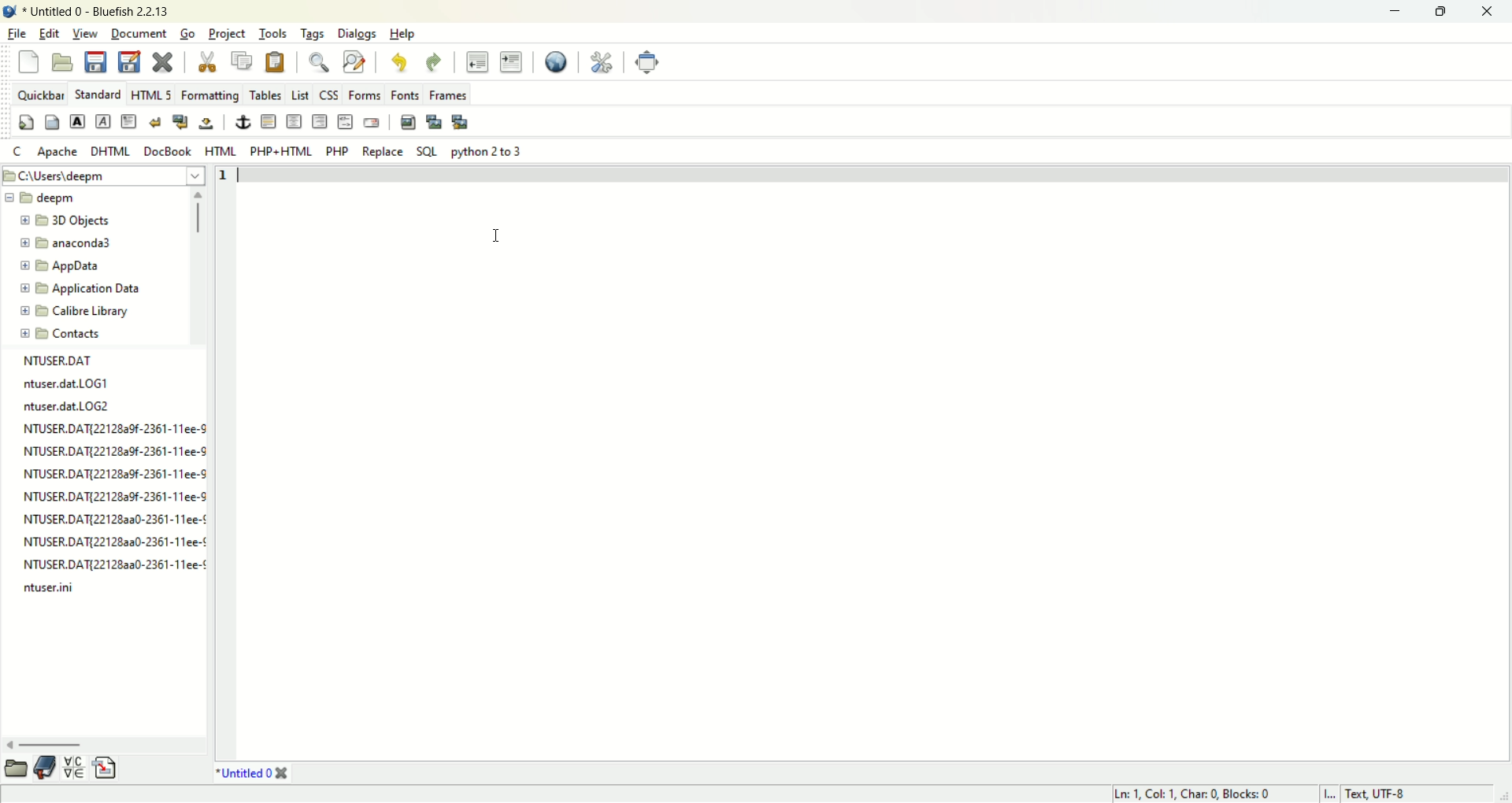 The height and width of the screenshot is (803, 1512). What do you see at coordinates (62, 220) in the screenshot?
I see `3D objects` at bounding box center [62, 220].